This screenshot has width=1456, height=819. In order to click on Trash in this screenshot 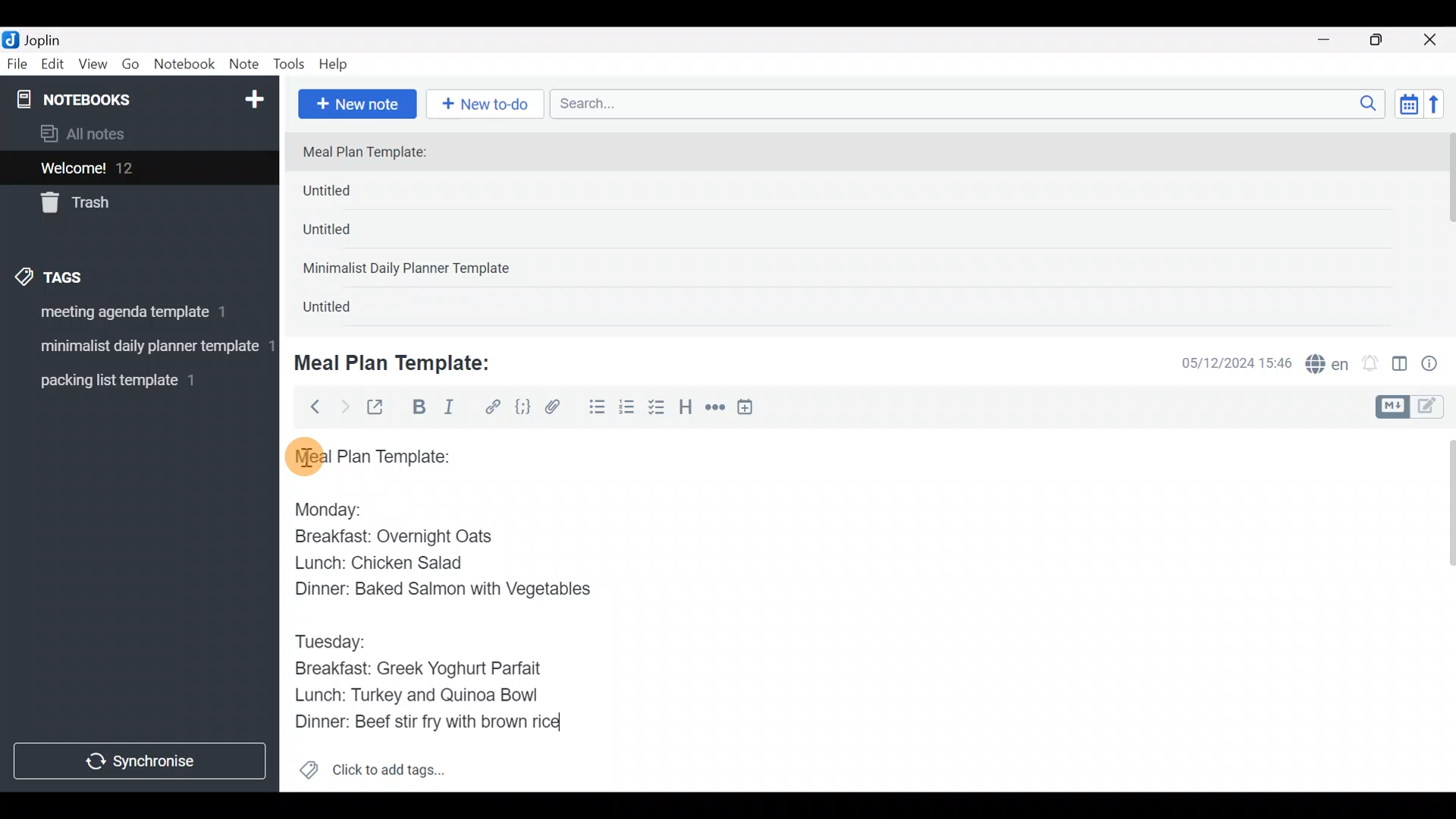, I will do `click(130, 204)`.